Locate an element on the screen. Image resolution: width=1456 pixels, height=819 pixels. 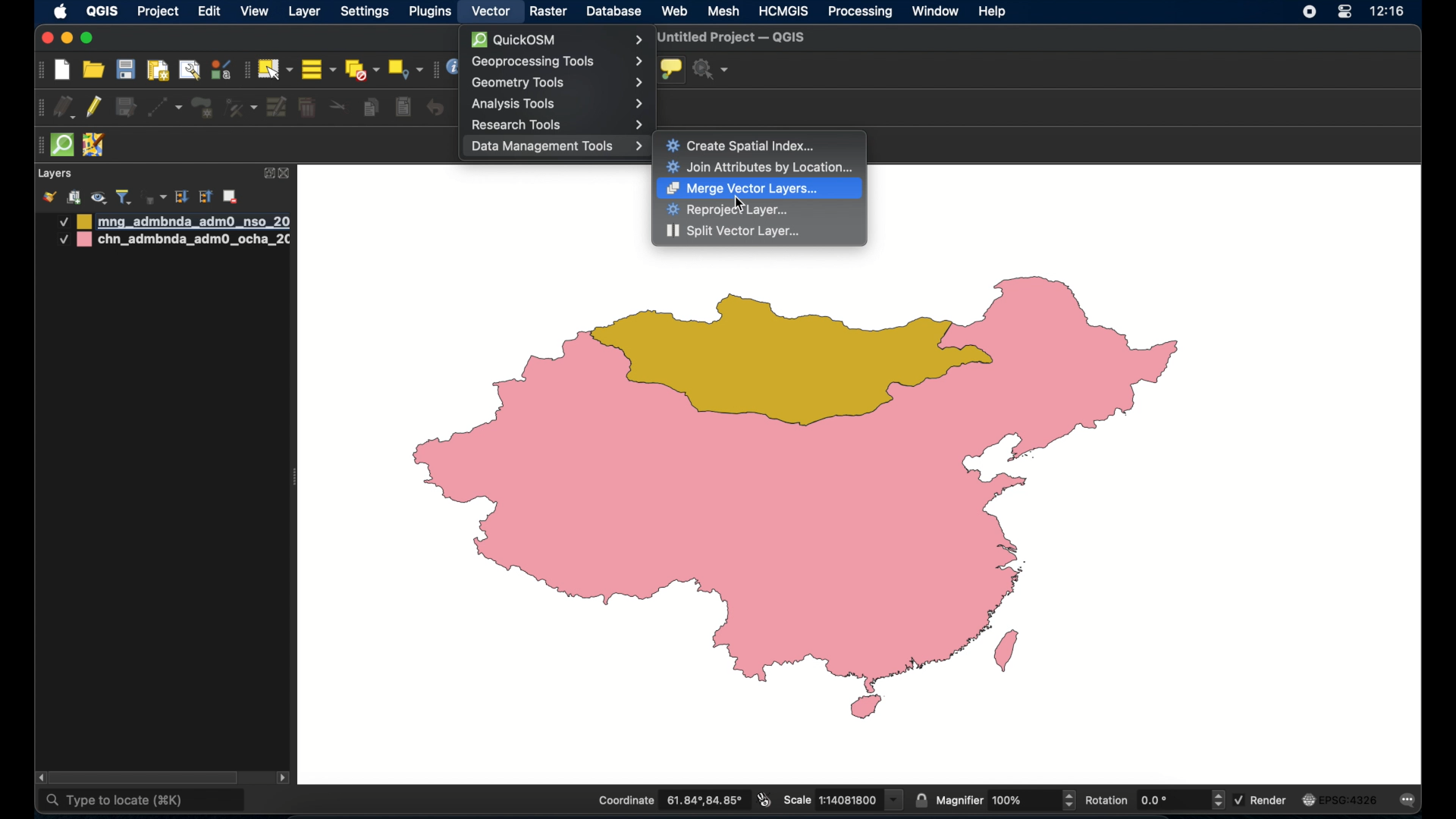
digitize with segment is located at coordinates (164, 106).